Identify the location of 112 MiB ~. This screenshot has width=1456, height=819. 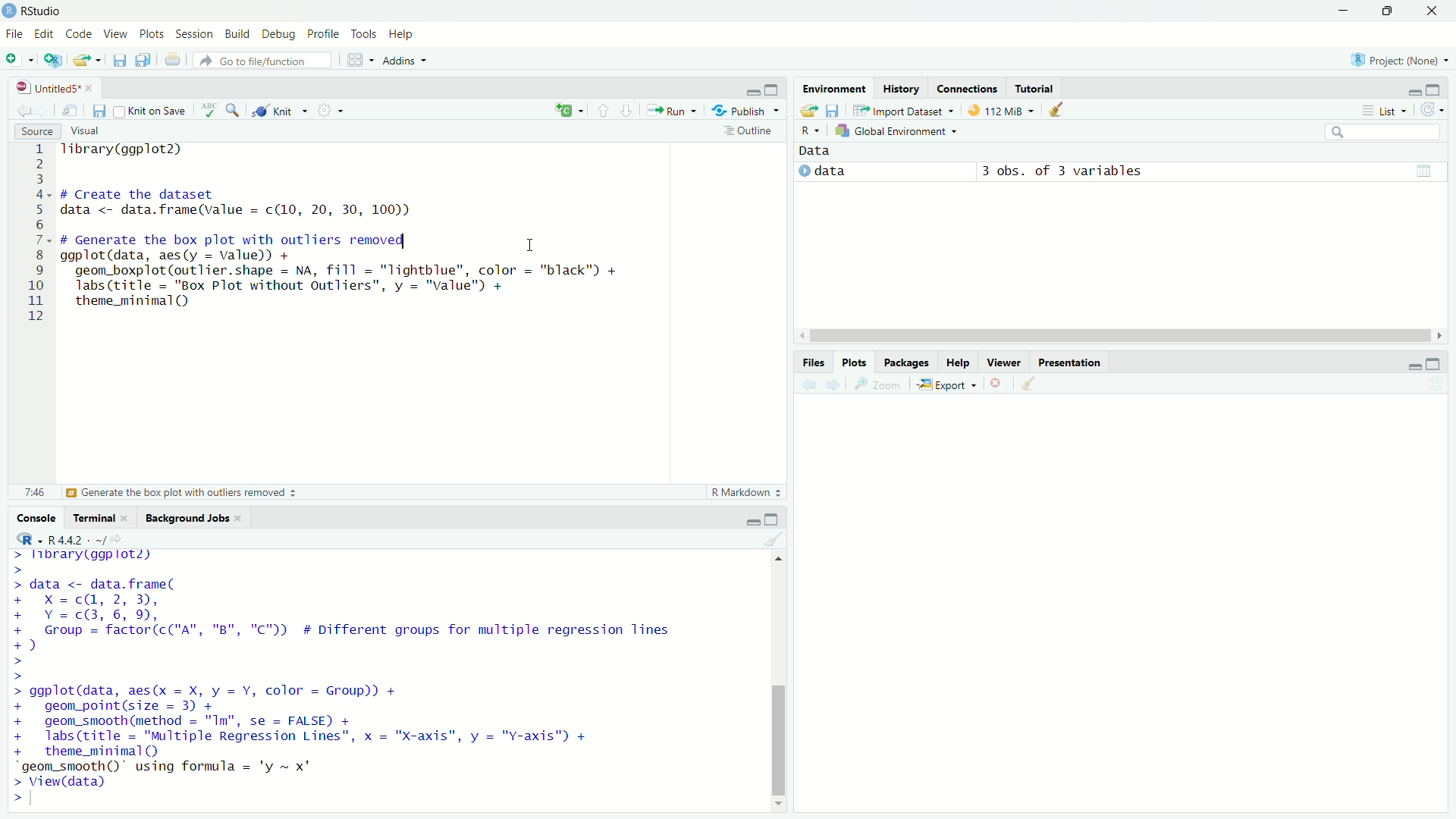
(1012, 111).